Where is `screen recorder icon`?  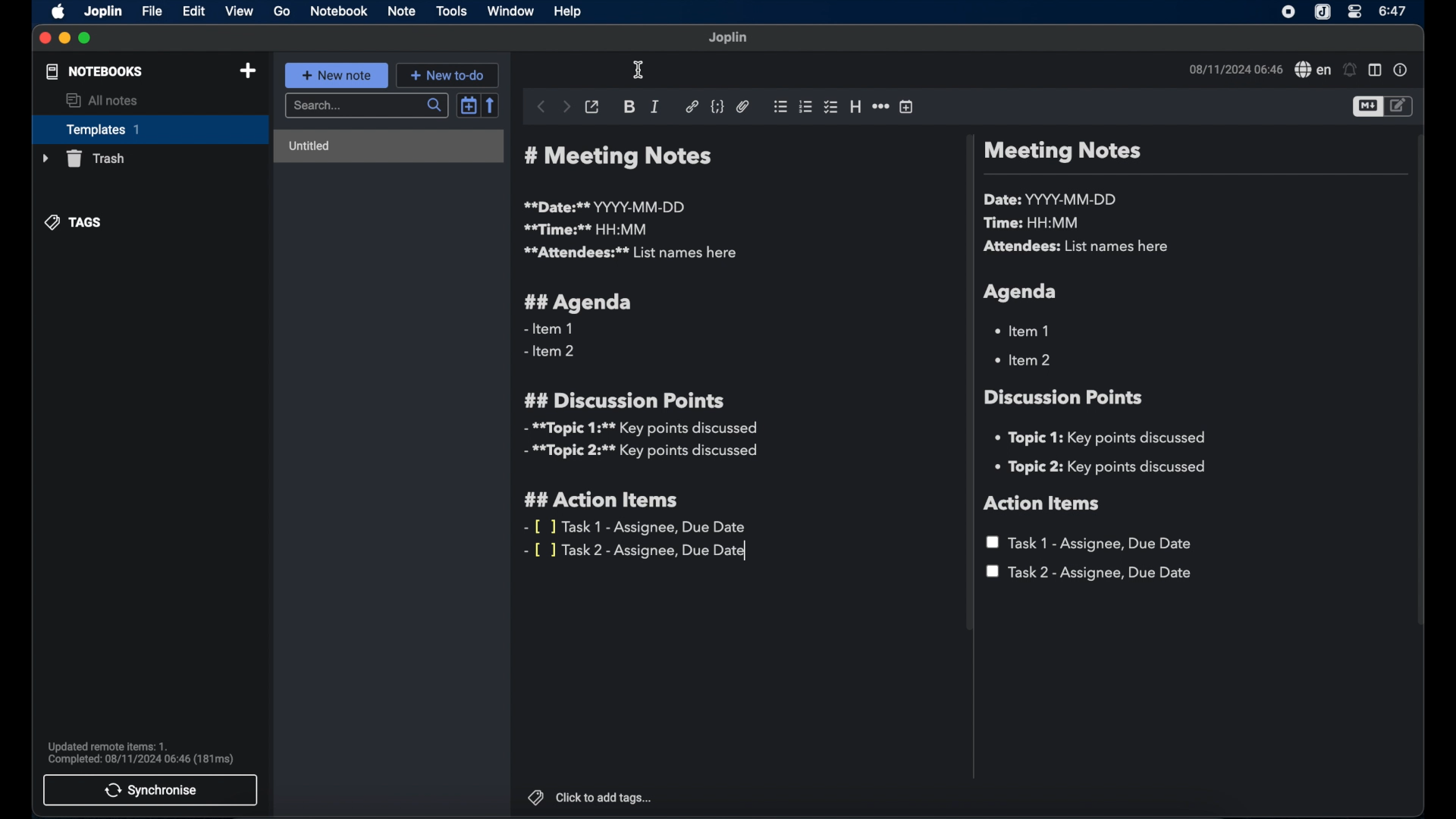
screen recorder icon is located at coordinates (1289, 12).